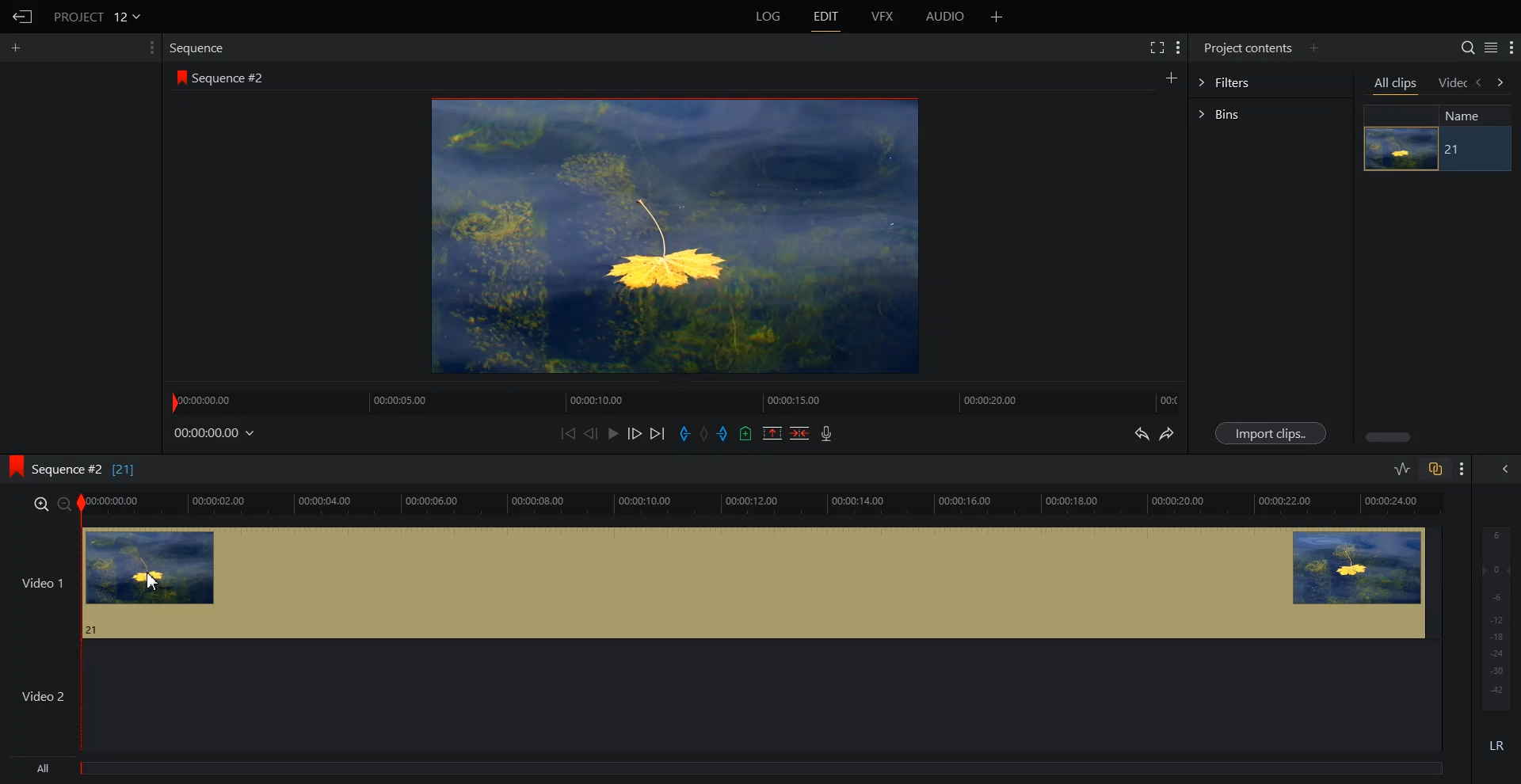  I want to click on Show Full audio mix, so click(1500, 469).